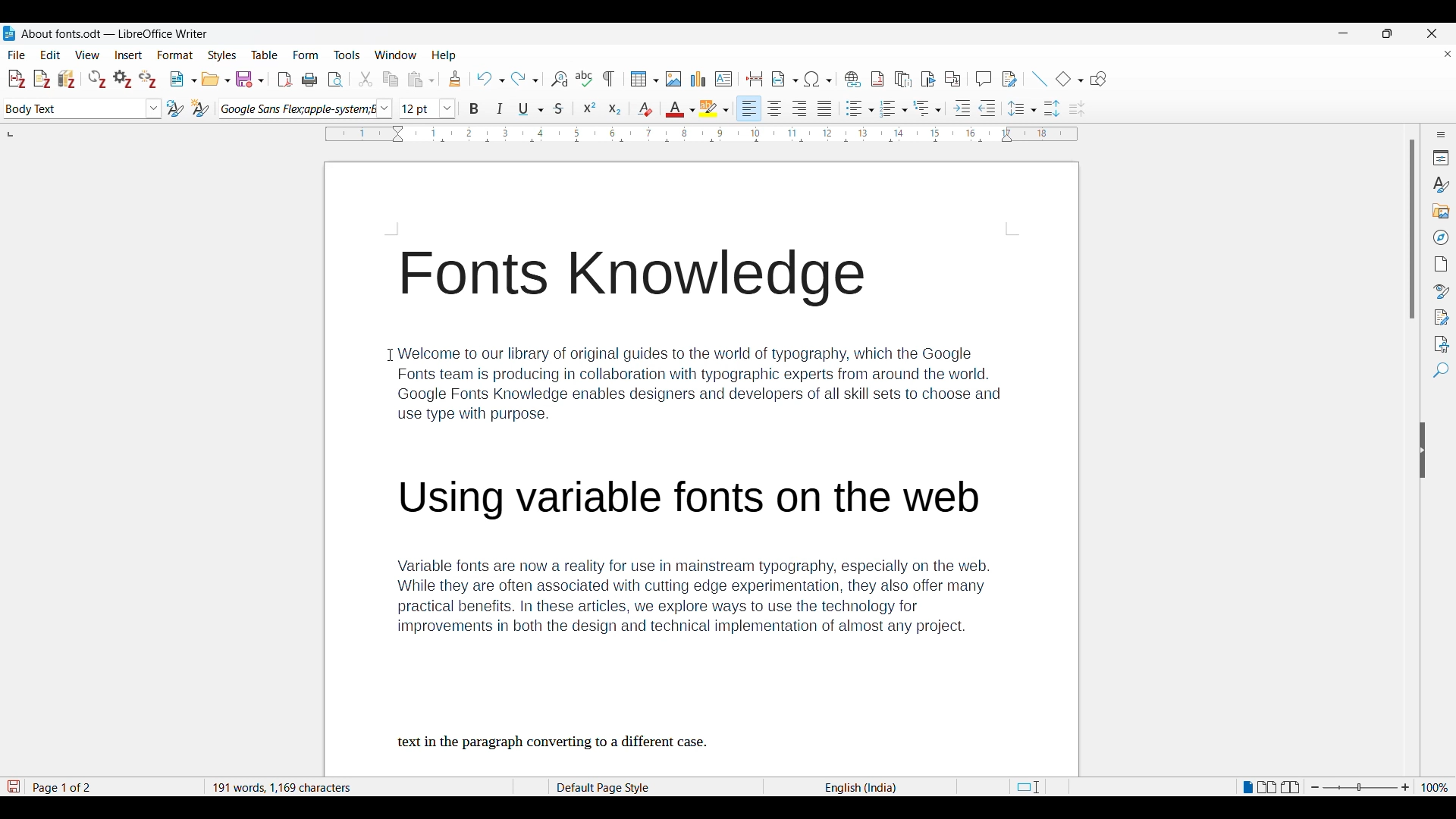 The image size is (1456, 819). Describe the element at coordinates (1027, 787) in the screenshot. I see `Standard selection` at that location.